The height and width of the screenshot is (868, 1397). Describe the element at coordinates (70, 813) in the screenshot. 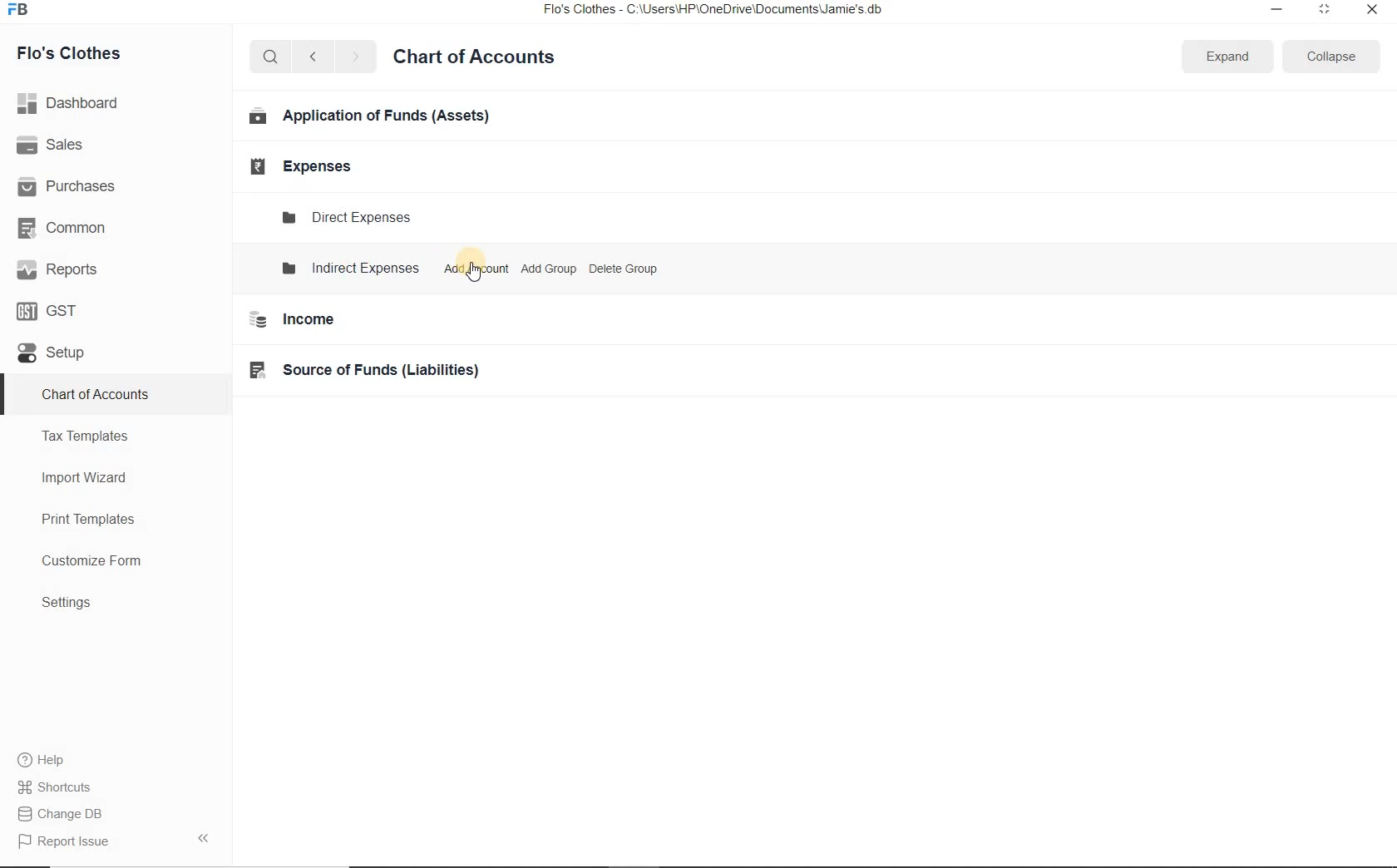

I see ` Change DB` at that location.